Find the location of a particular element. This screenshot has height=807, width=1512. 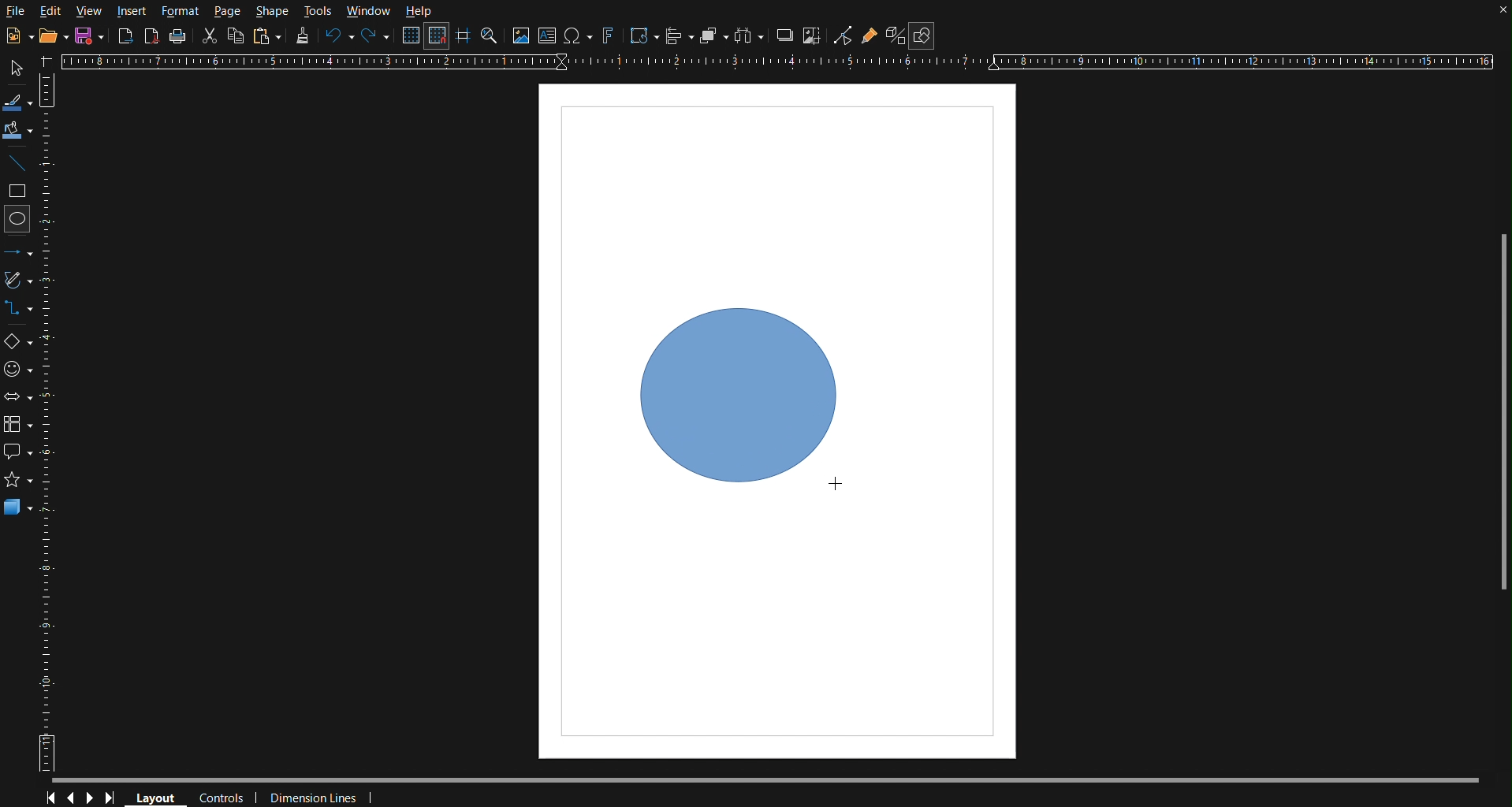

Flowchart is located at coordinates (18, 426).